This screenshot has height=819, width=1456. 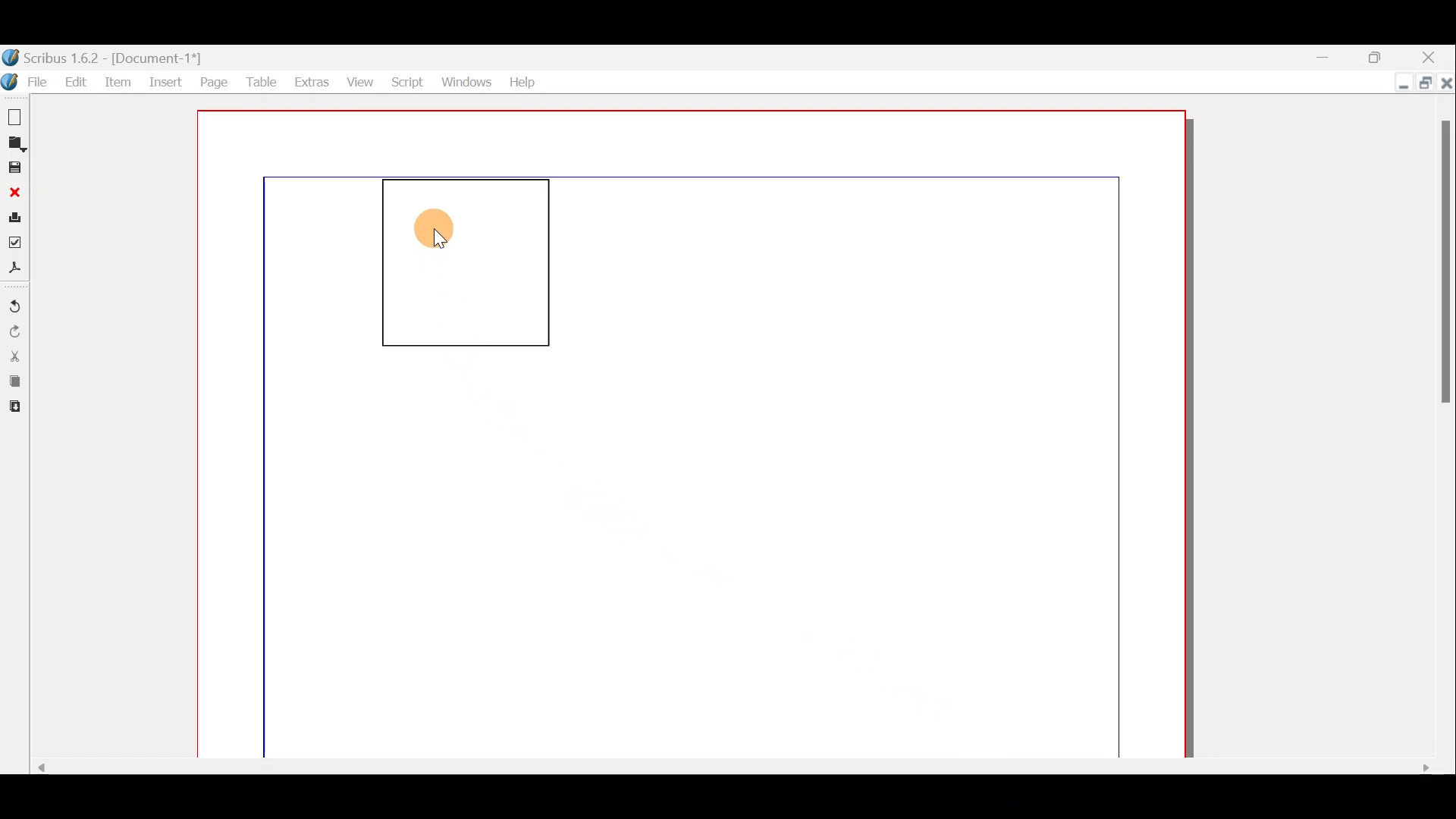 What do you see at coordinates (310, 83) in the screenshot?
I see `Extras` at bounding box center [310, 83].